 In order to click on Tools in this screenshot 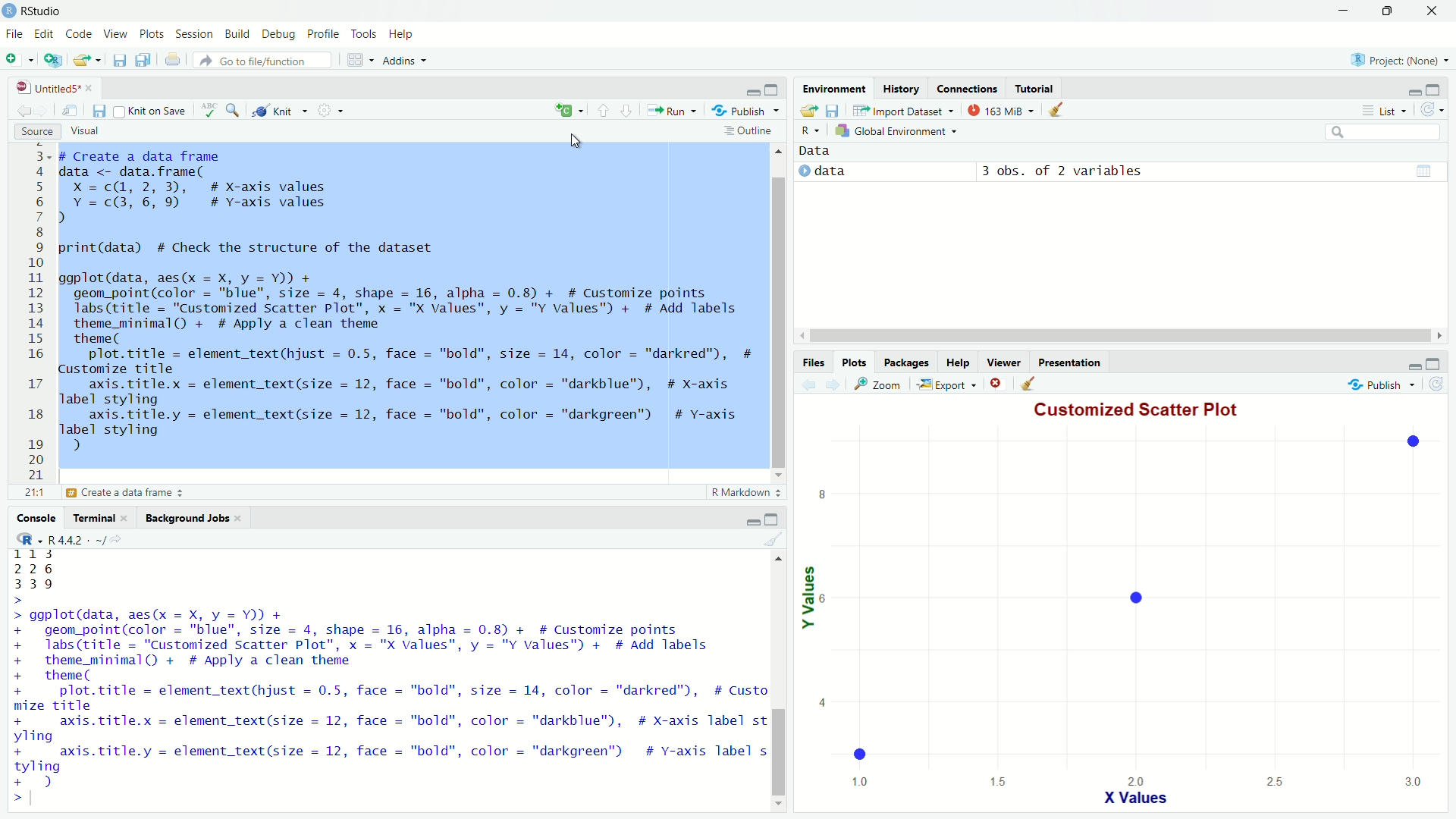, I will do `click(364, 35)`.